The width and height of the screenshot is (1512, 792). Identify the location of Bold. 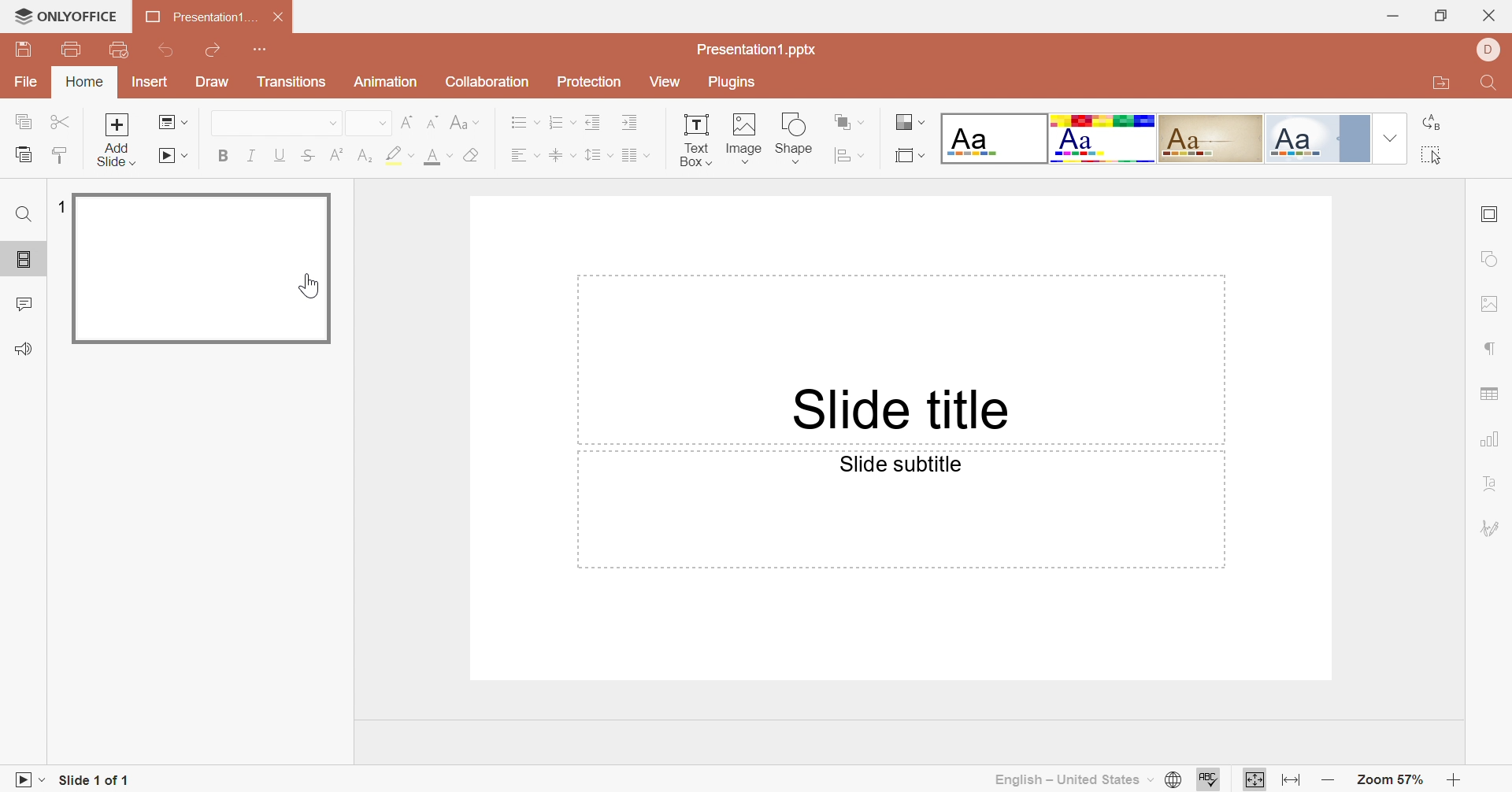
(224, 154).